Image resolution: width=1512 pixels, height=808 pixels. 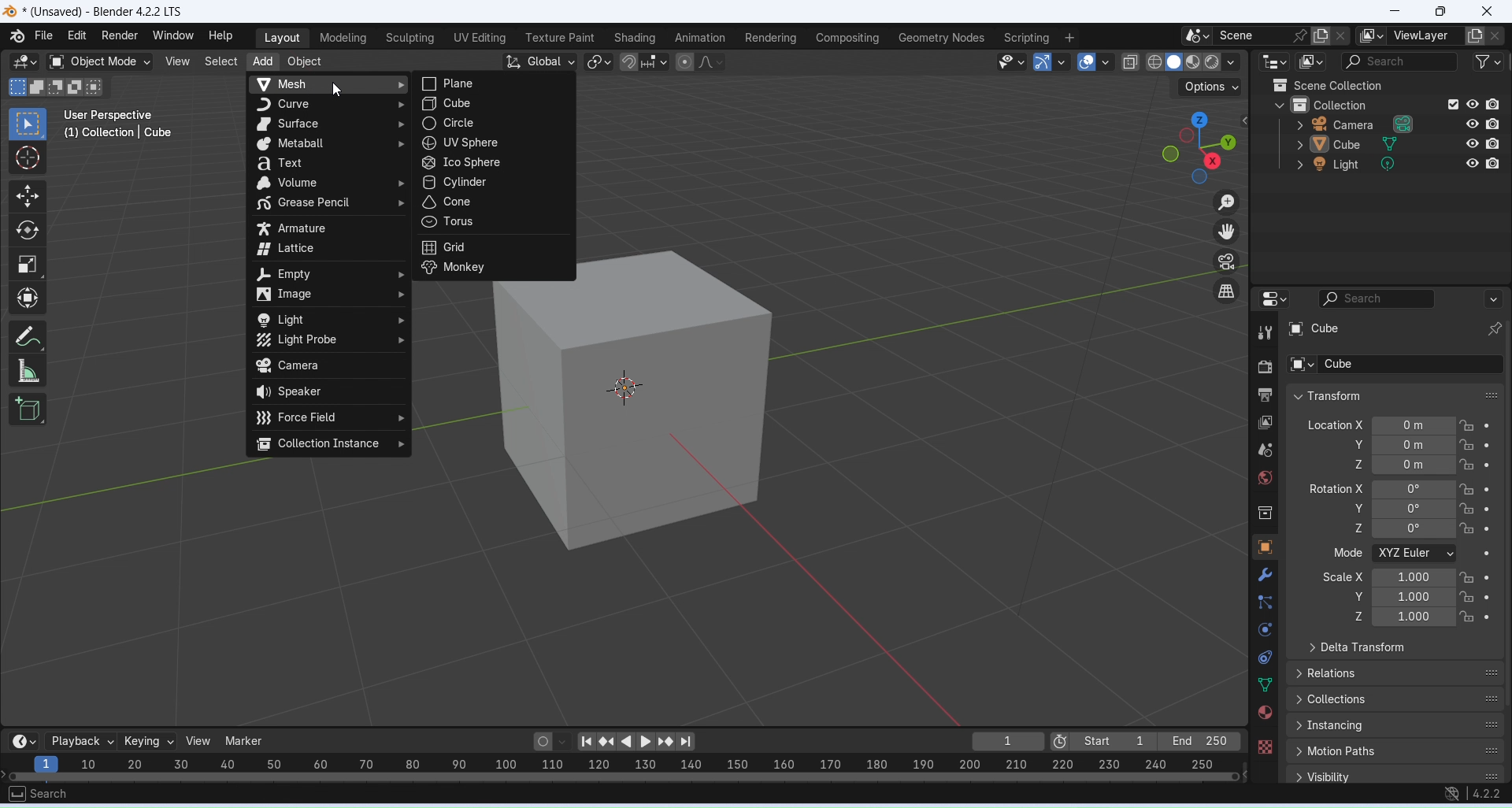 I want to click on Output, so click(x=1263, y=395).